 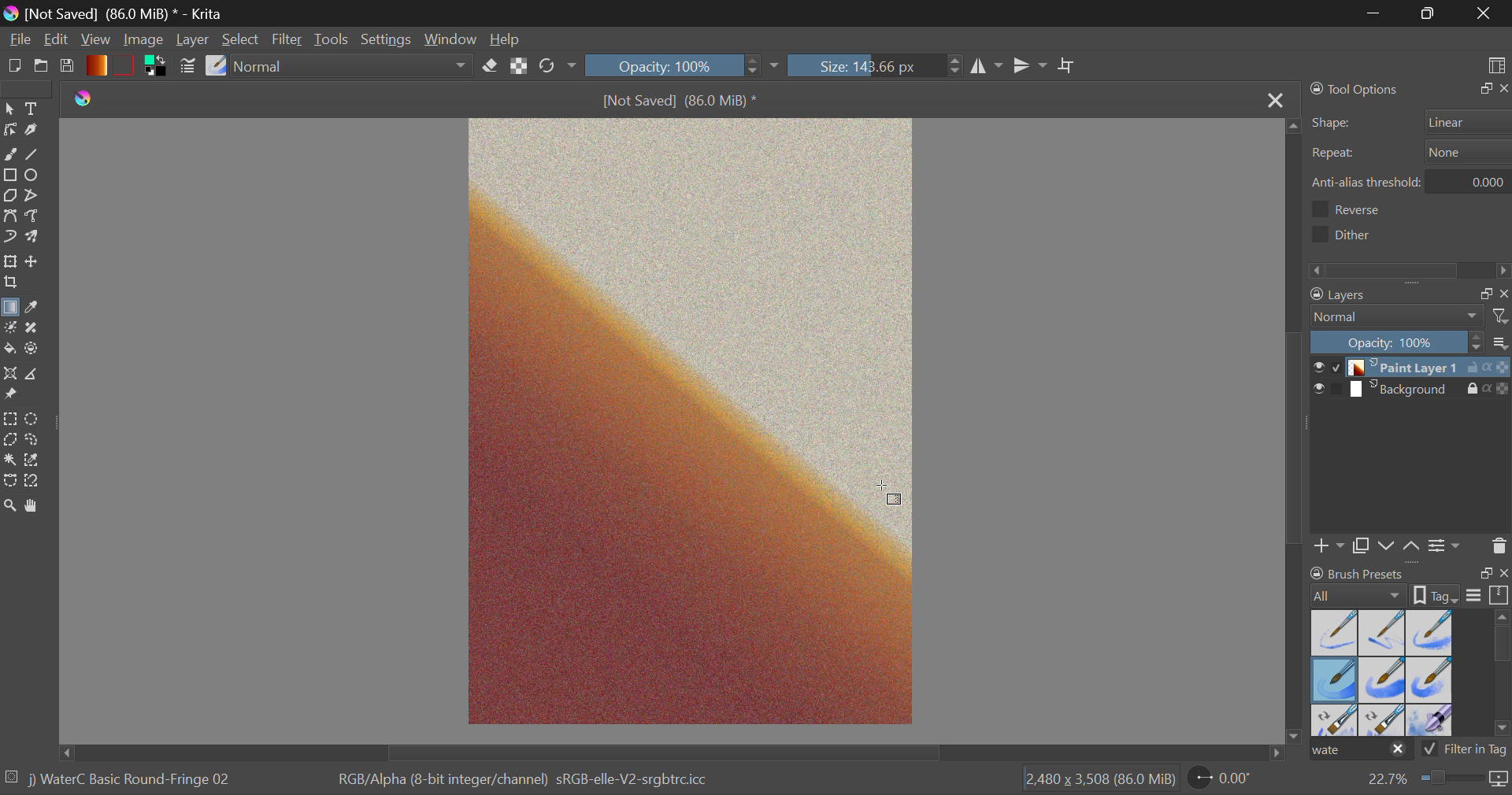 What do you see at coordinates (38, 327) in the screenshot?
I see `Smart Patch Tool` at bounding box center [38, 327].